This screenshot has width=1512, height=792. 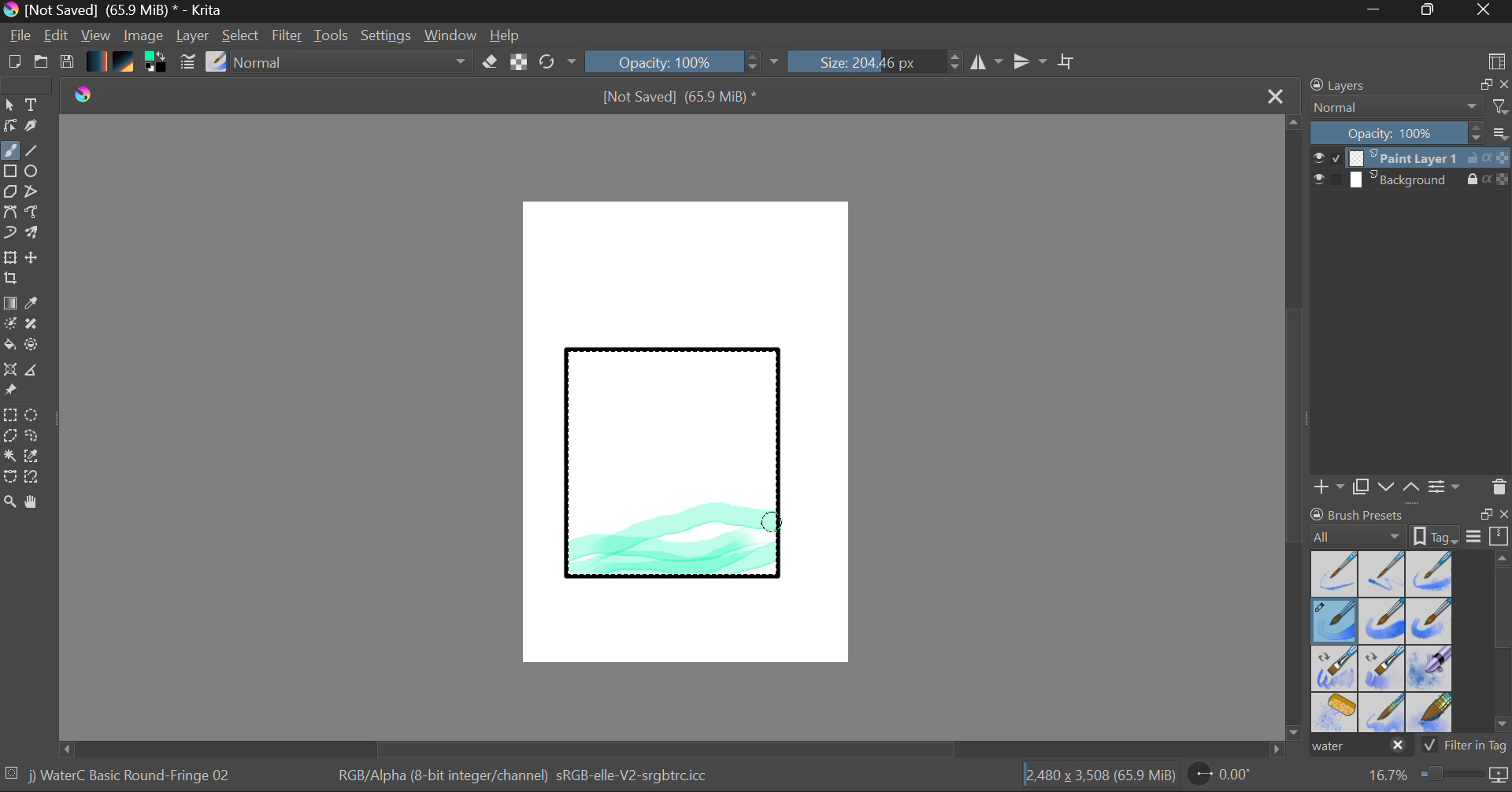 What do you see at coordinates (37, 505) in the screenshot?
I see `Pan` at bounding box center [37, 505].